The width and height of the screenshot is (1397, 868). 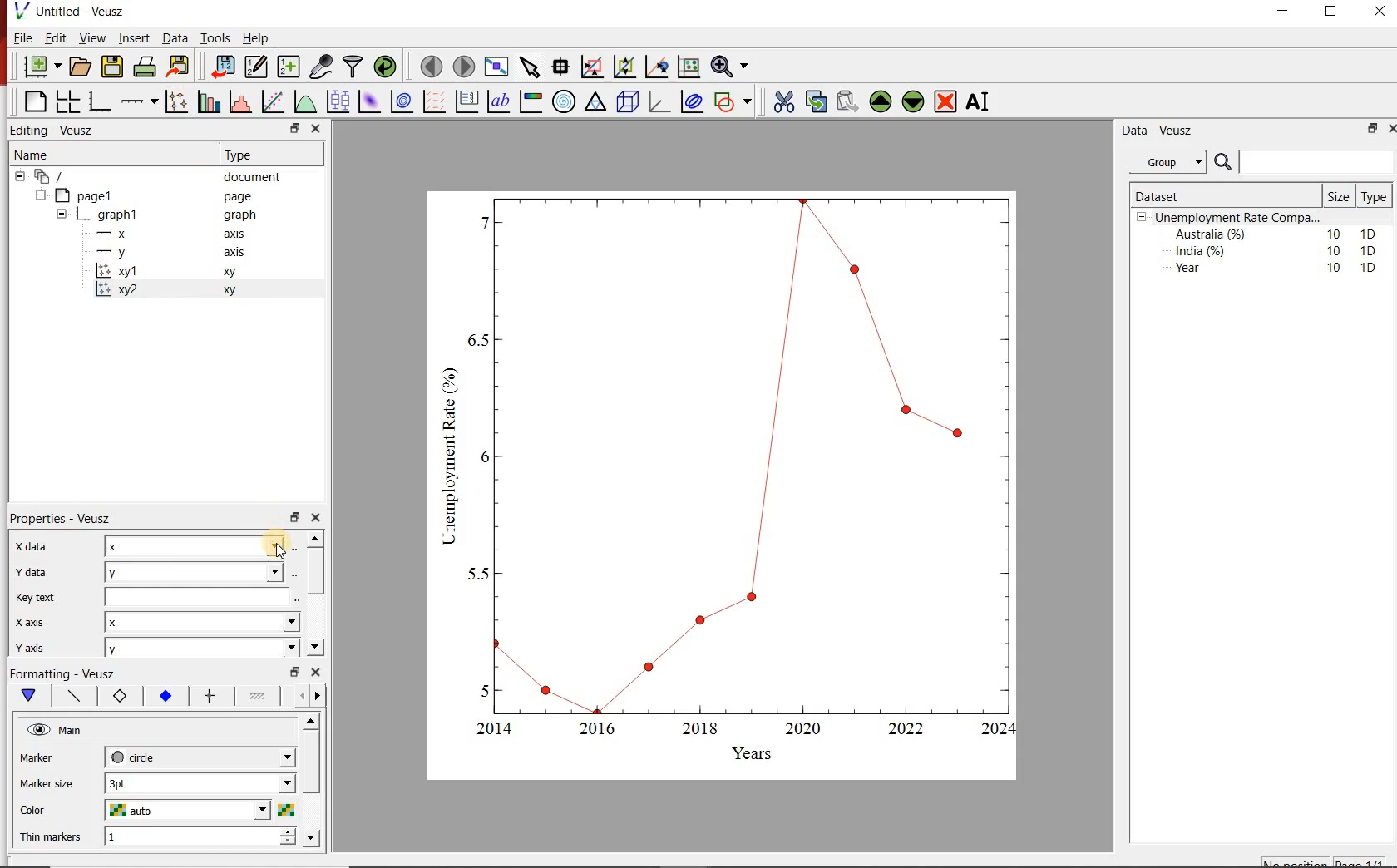 What do you see at coordinates (1392, 127) in the screenshot?
I see `close` at bounding box center [1392, 127].